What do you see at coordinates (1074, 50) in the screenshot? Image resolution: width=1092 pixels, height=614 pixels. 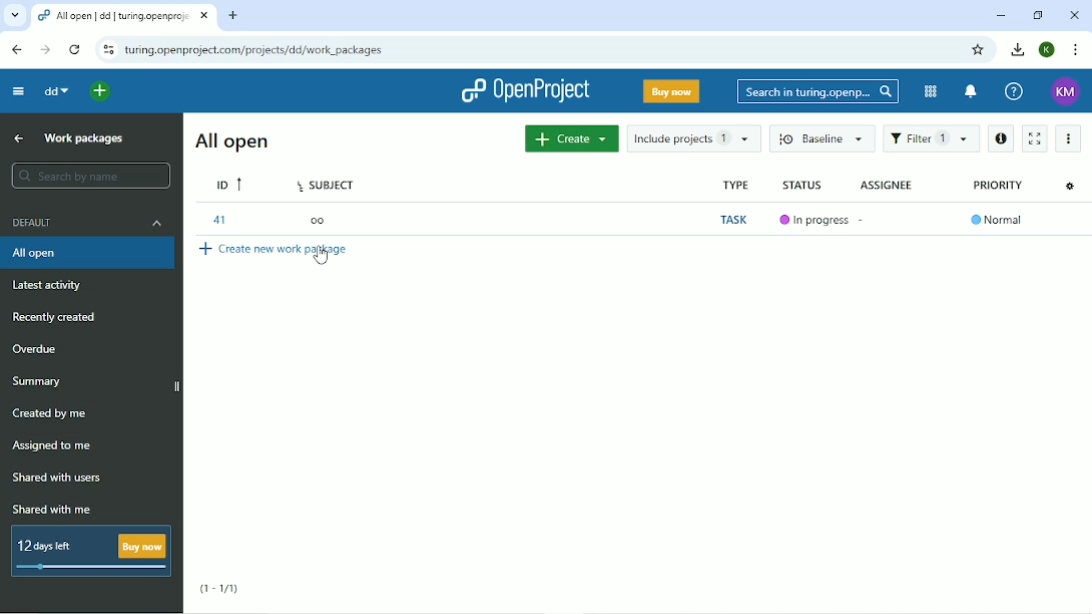 I see `Customize and control google chrome` at bounding box center [1074, 50].